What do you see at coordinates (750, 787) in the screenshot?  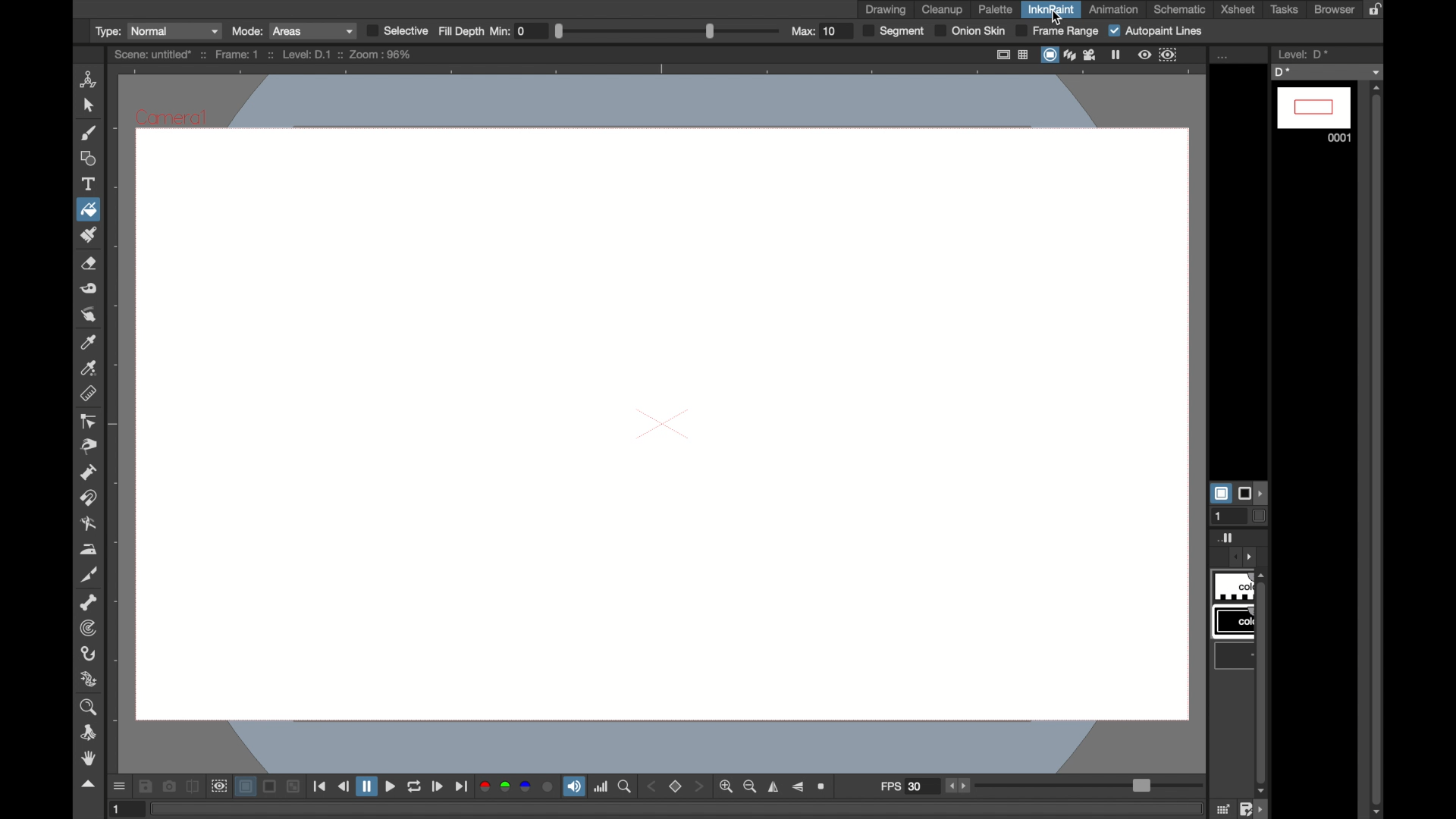 I see `zoom out` at bounding box center [750, 787].